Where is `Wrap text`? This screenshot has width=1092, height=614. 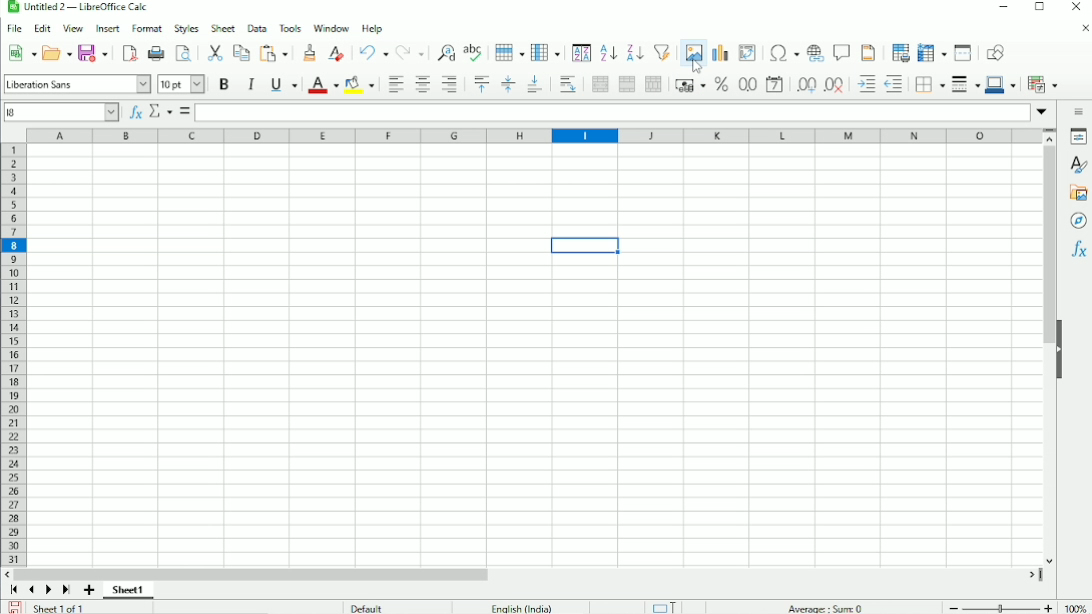 Wrap text is located at coordinates (567, 84).